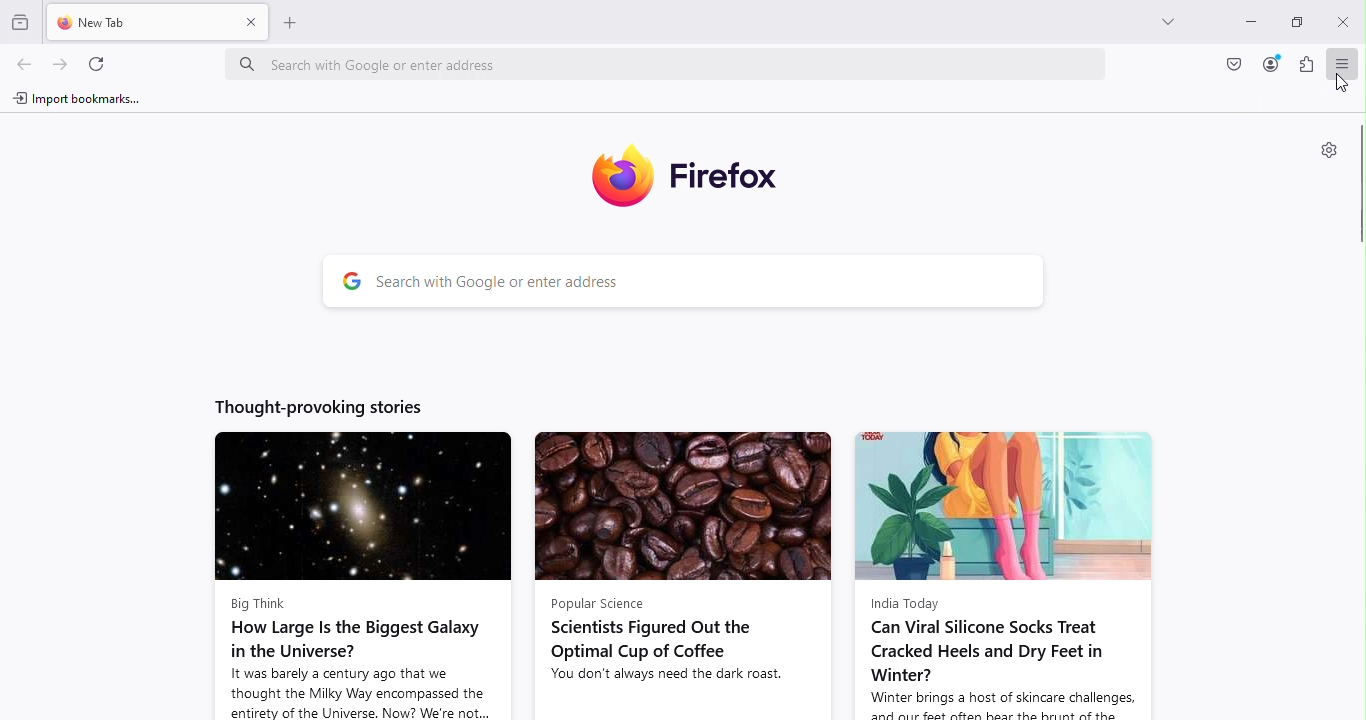  Describe the element at coordinates (1002, 572) in the screenshot. I see `News article` at that location.